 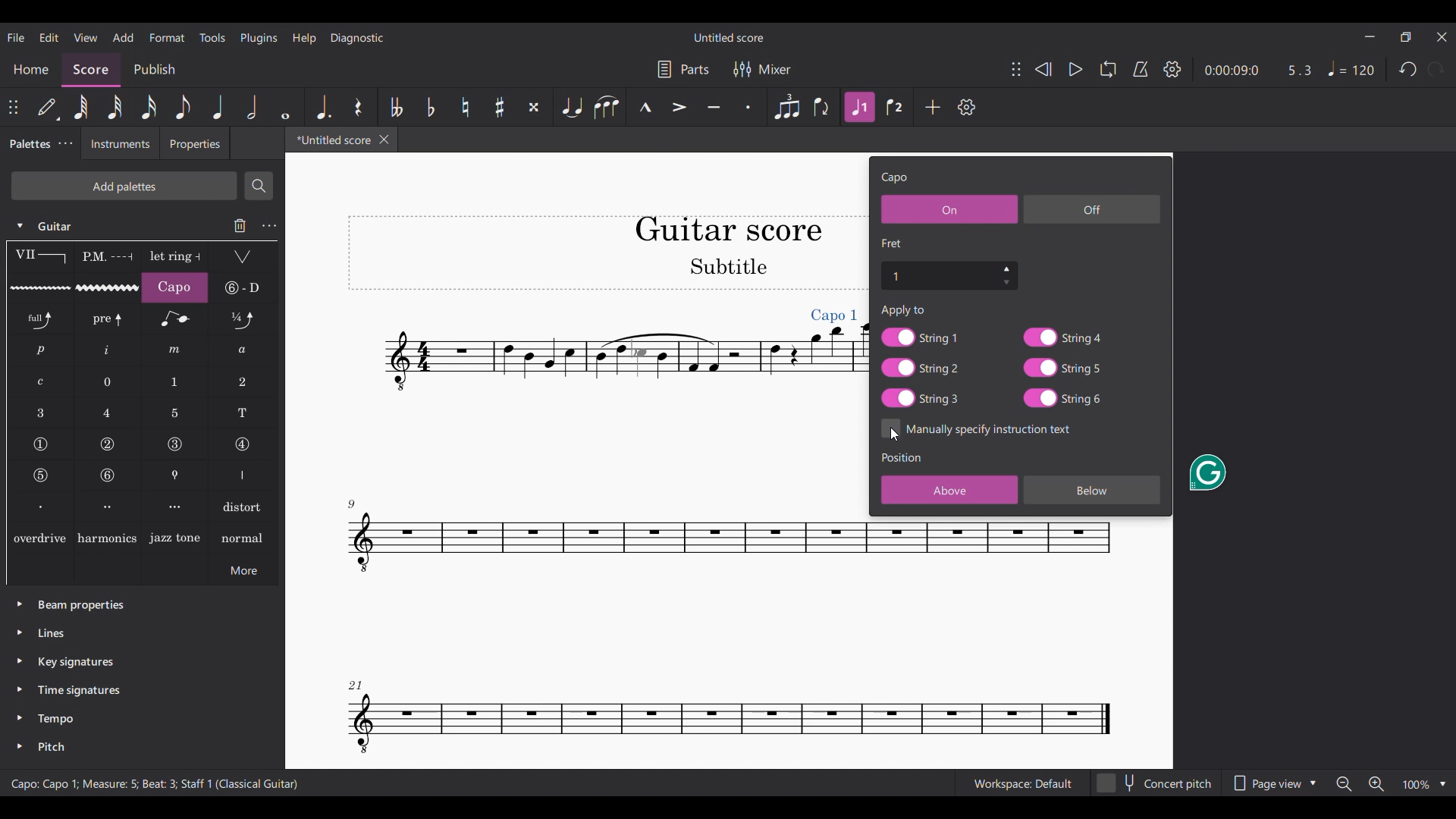 I want to click on Show in smaller tab, so click(x=1406, y=37).